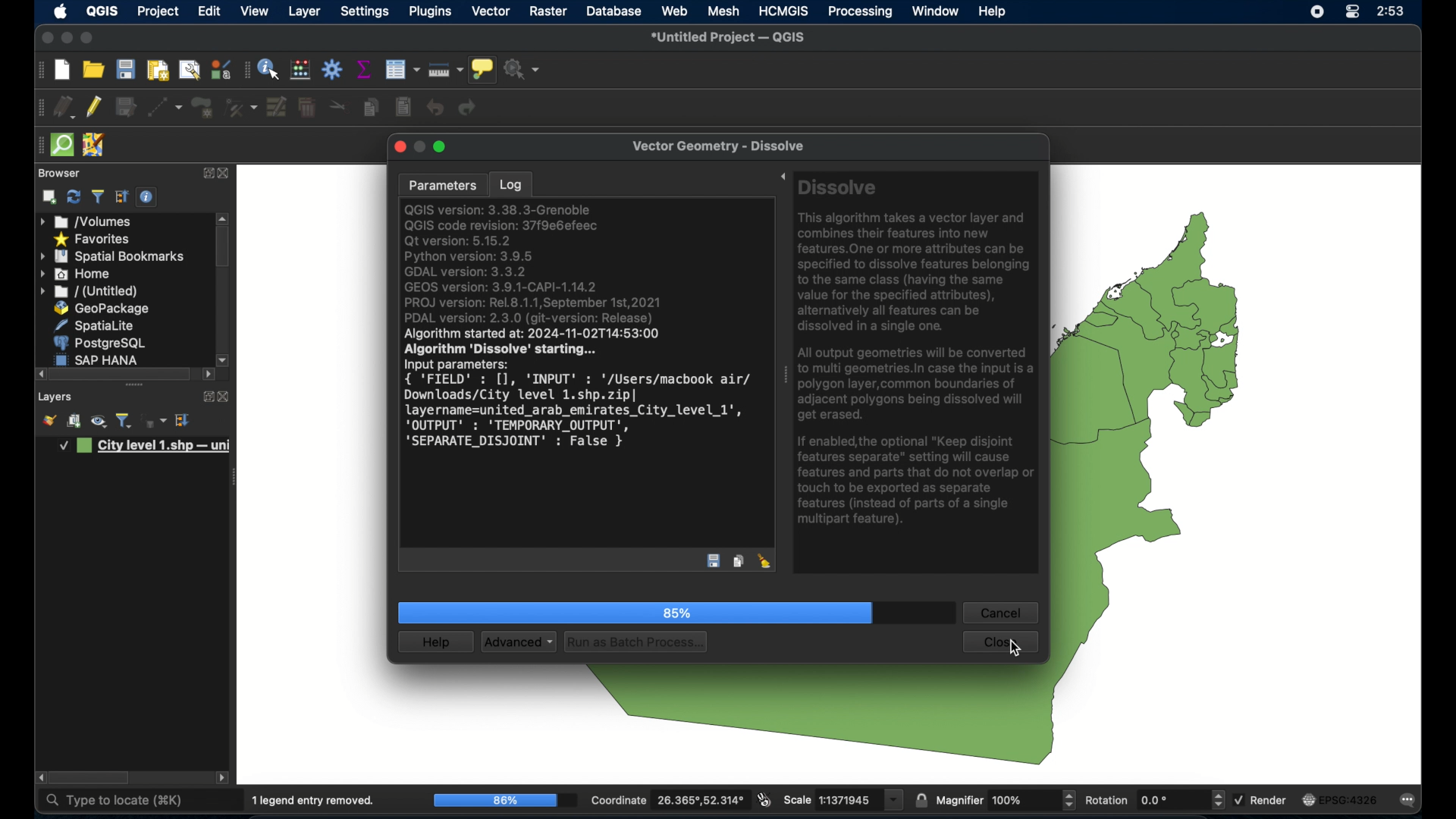 The height and width of the screenshot is (819, 1456). What do you see at coordinates (184, 420) in the screenshot?
I see `expand all` at bounding box center [184, 420].